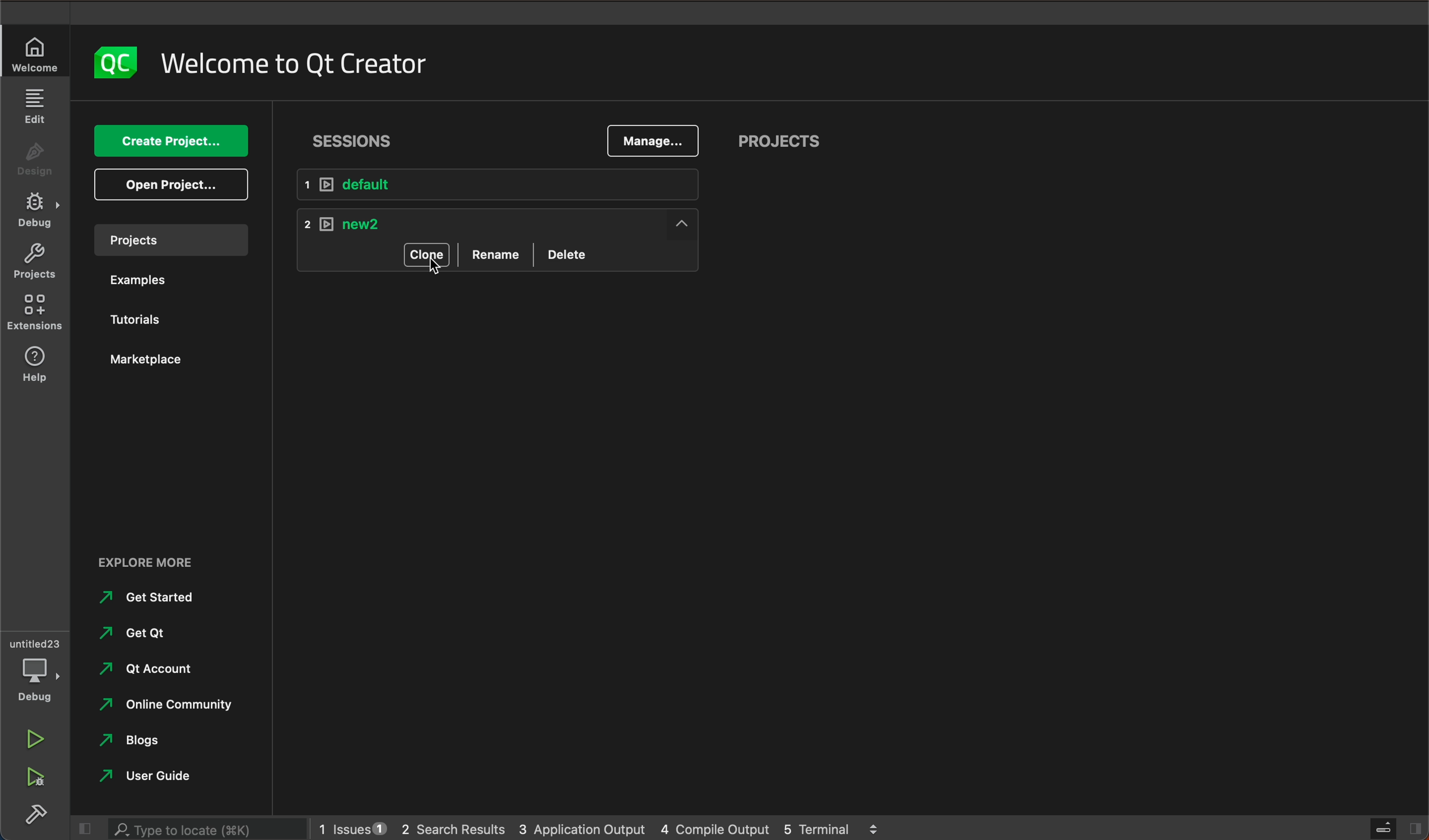  What do you see at coordinates (161, 775) in the screenshot?
I see `user guide` at bounding box center [161, 775].